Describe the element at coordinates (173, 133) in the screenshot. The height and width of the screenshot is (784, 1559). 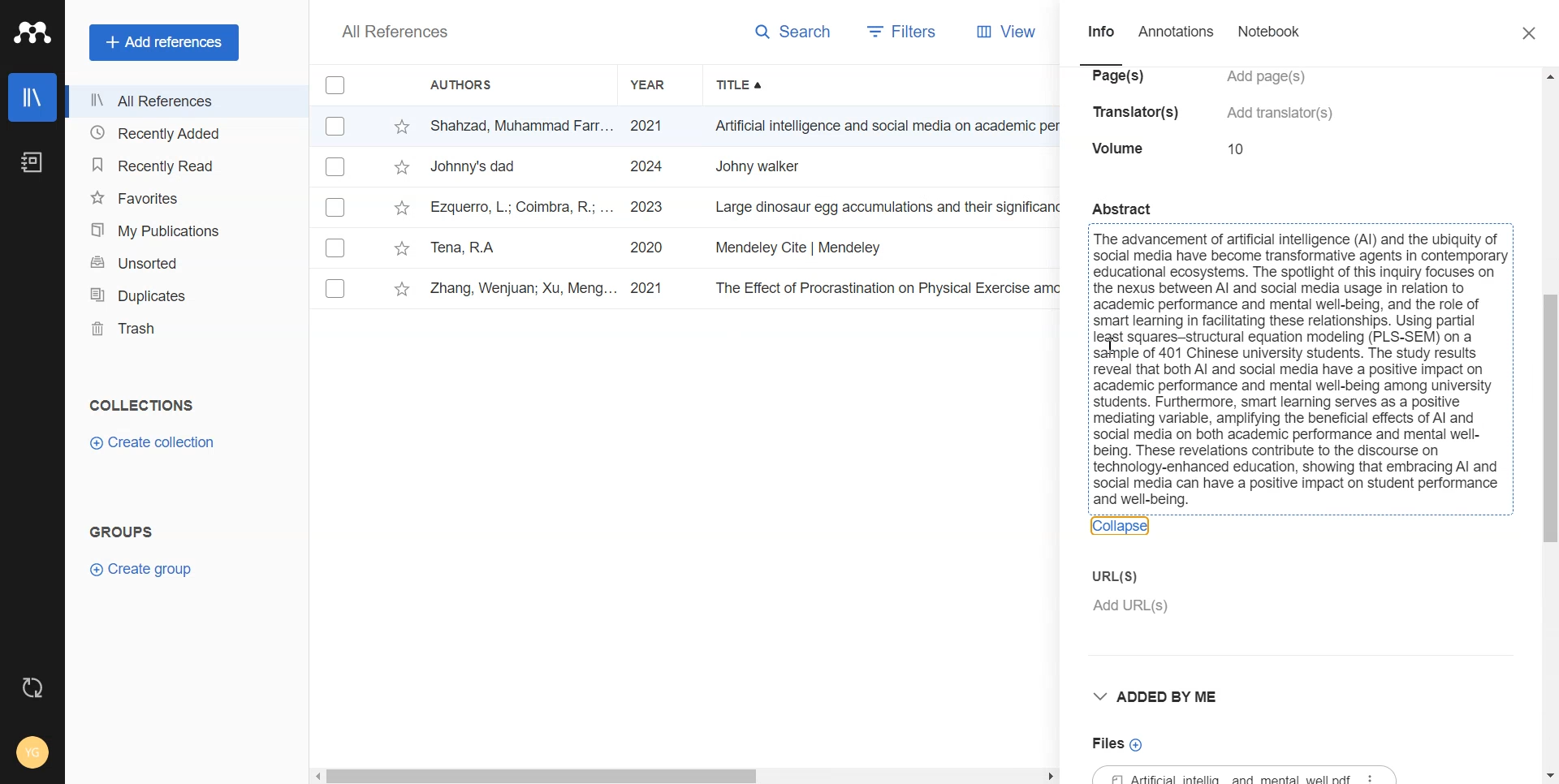
I see `Recently Added` at that location.